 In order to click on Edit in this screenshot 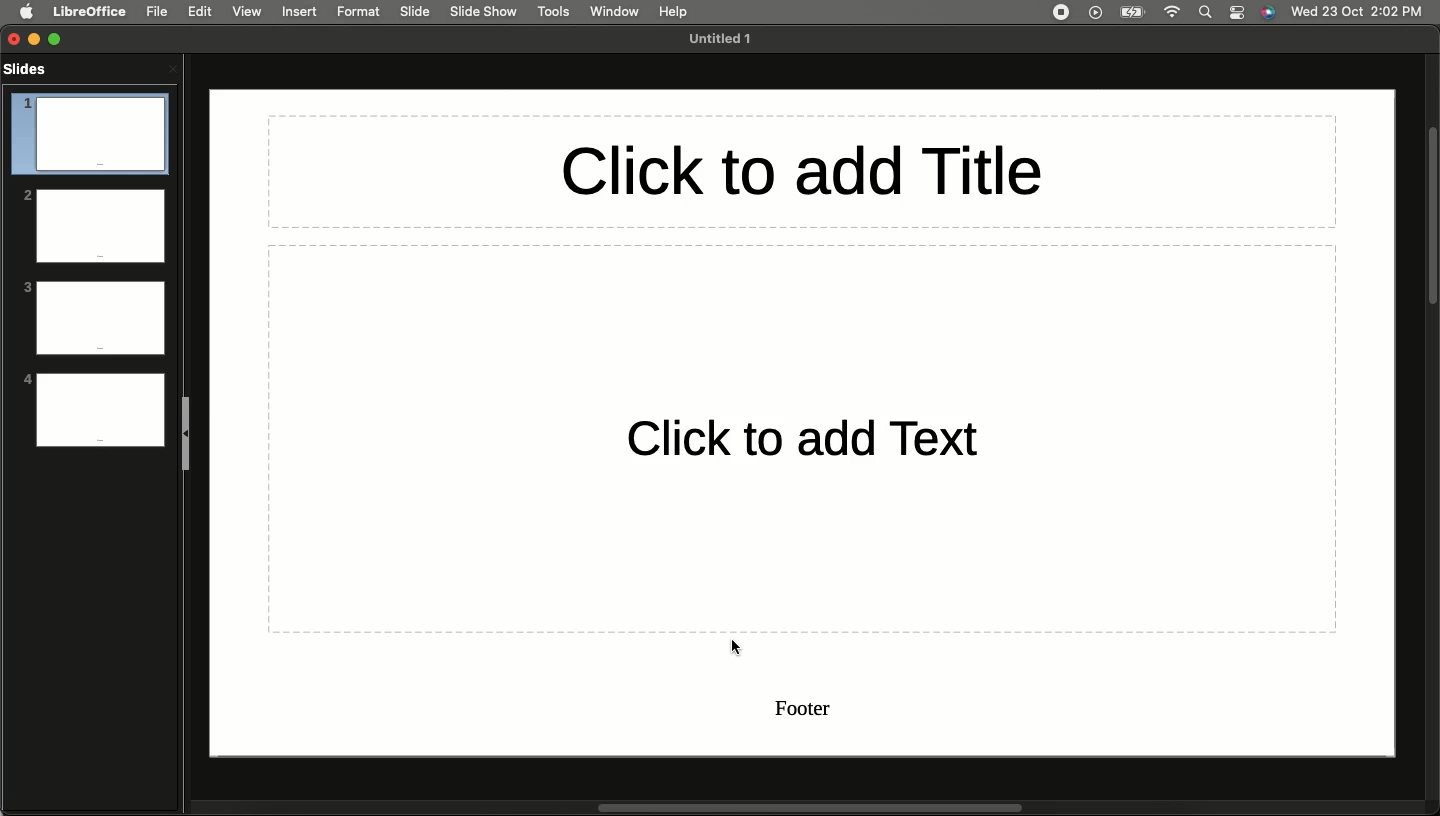, I will do `click(199, 12)`.